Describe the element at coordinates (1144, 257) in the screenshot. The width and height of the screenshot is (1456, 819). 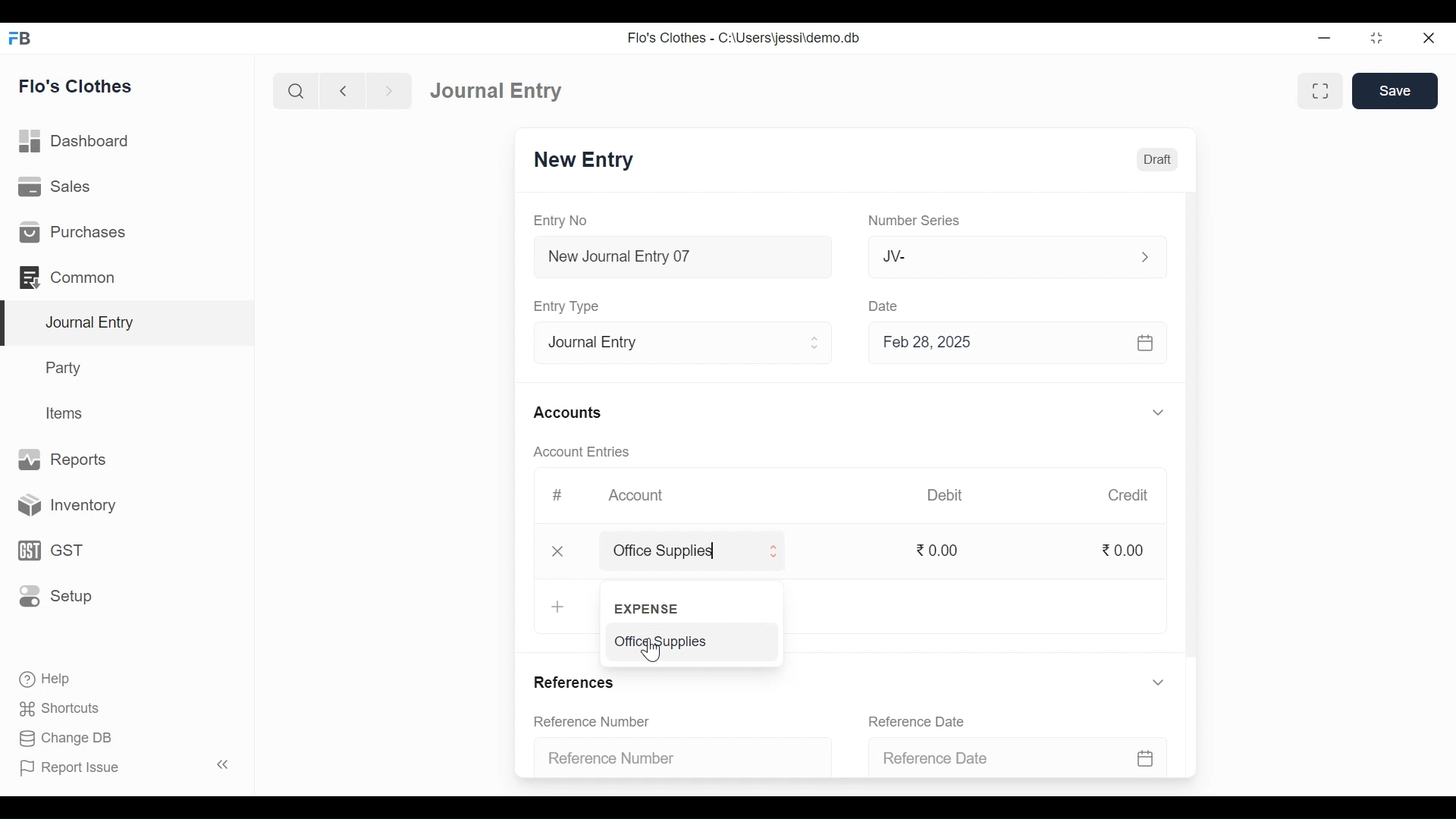
I see `Expand` at that location.